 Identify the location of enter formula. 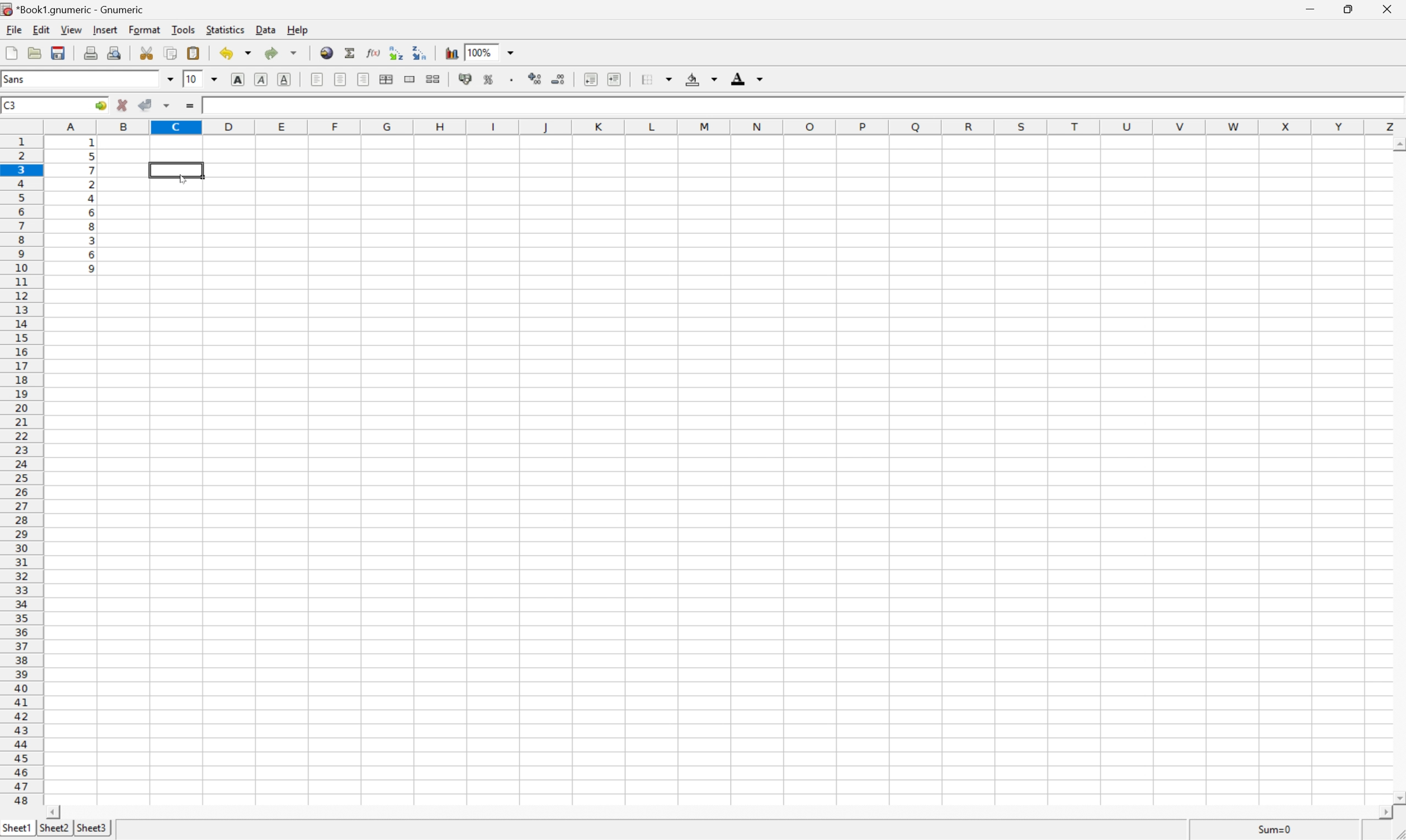
(193, 106).